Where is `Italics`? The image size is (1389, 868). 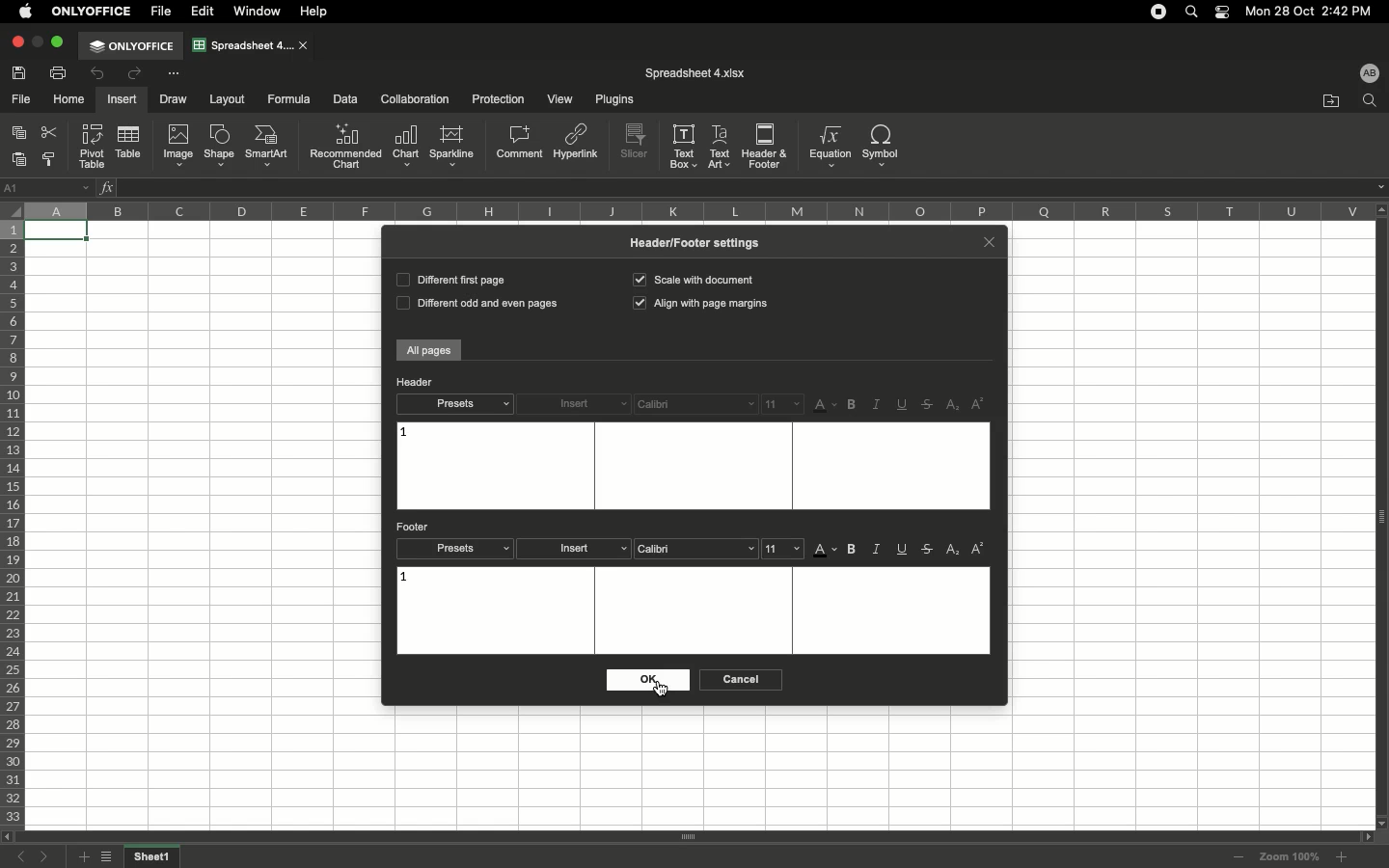
Italics is located at coordinates (876, 405).